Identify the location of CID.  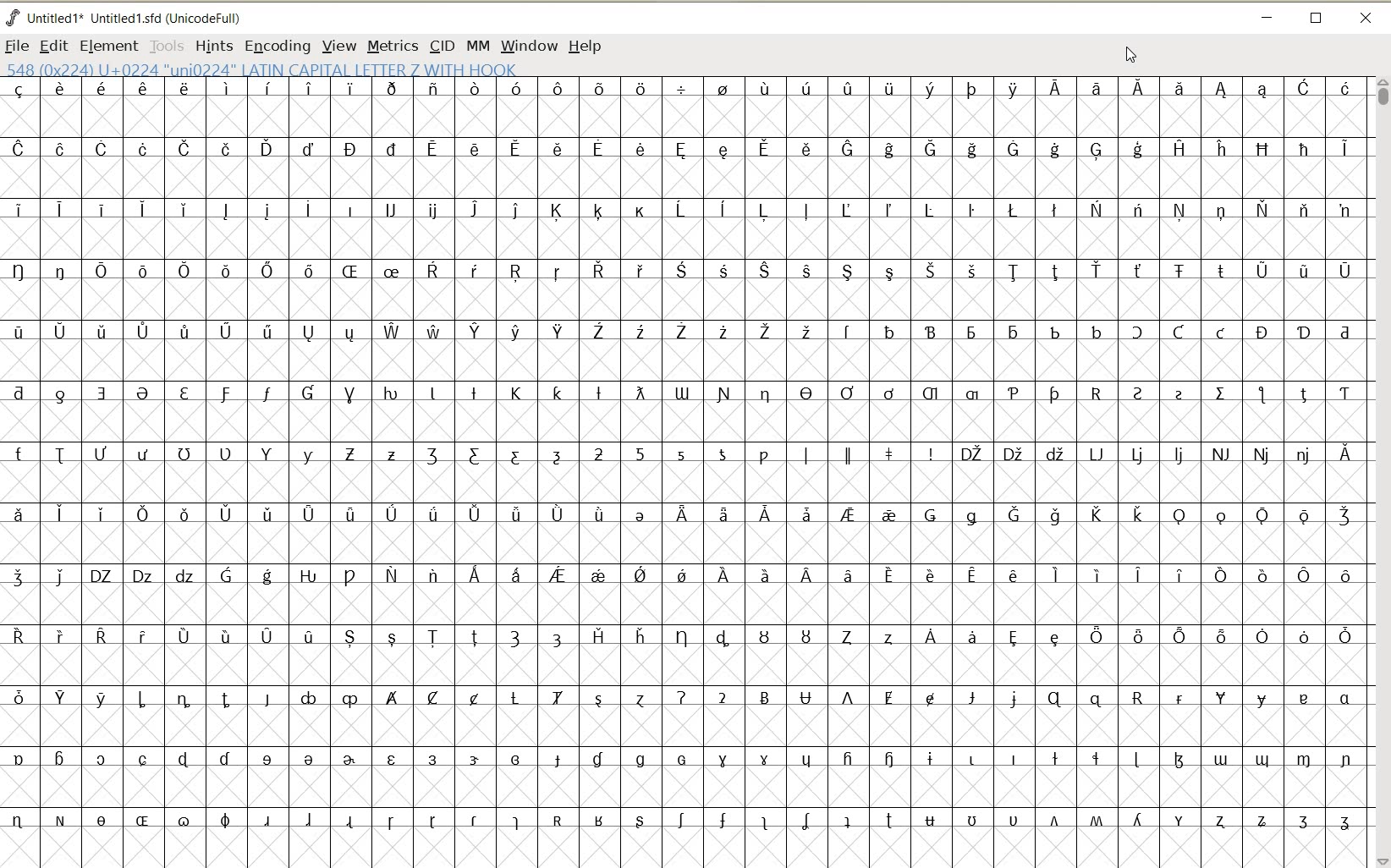
(442, 47).